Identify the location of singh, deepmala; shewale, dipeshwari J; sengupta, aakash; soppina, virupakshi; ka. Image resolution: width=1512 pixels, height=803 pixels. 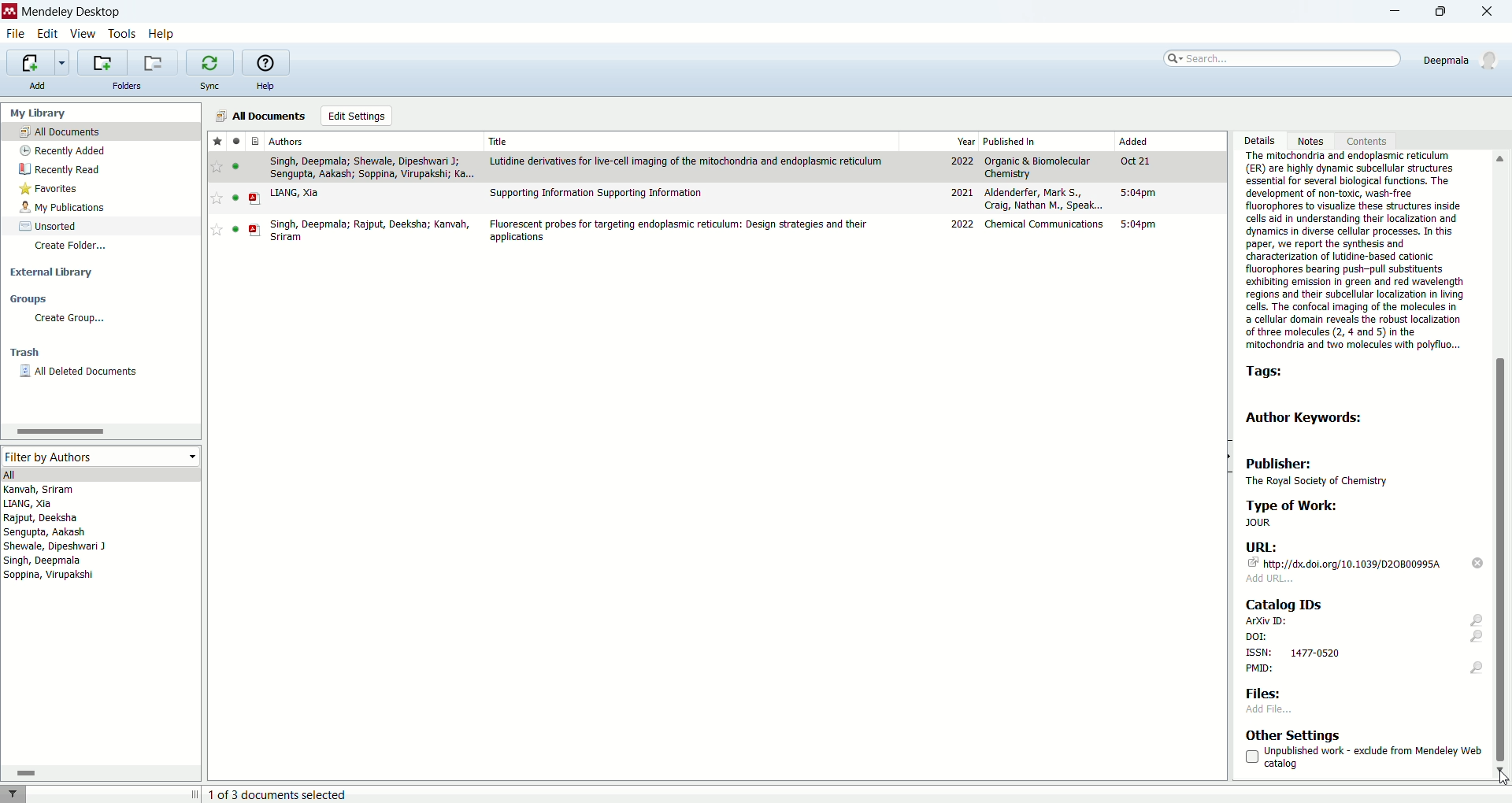
(372, 168).